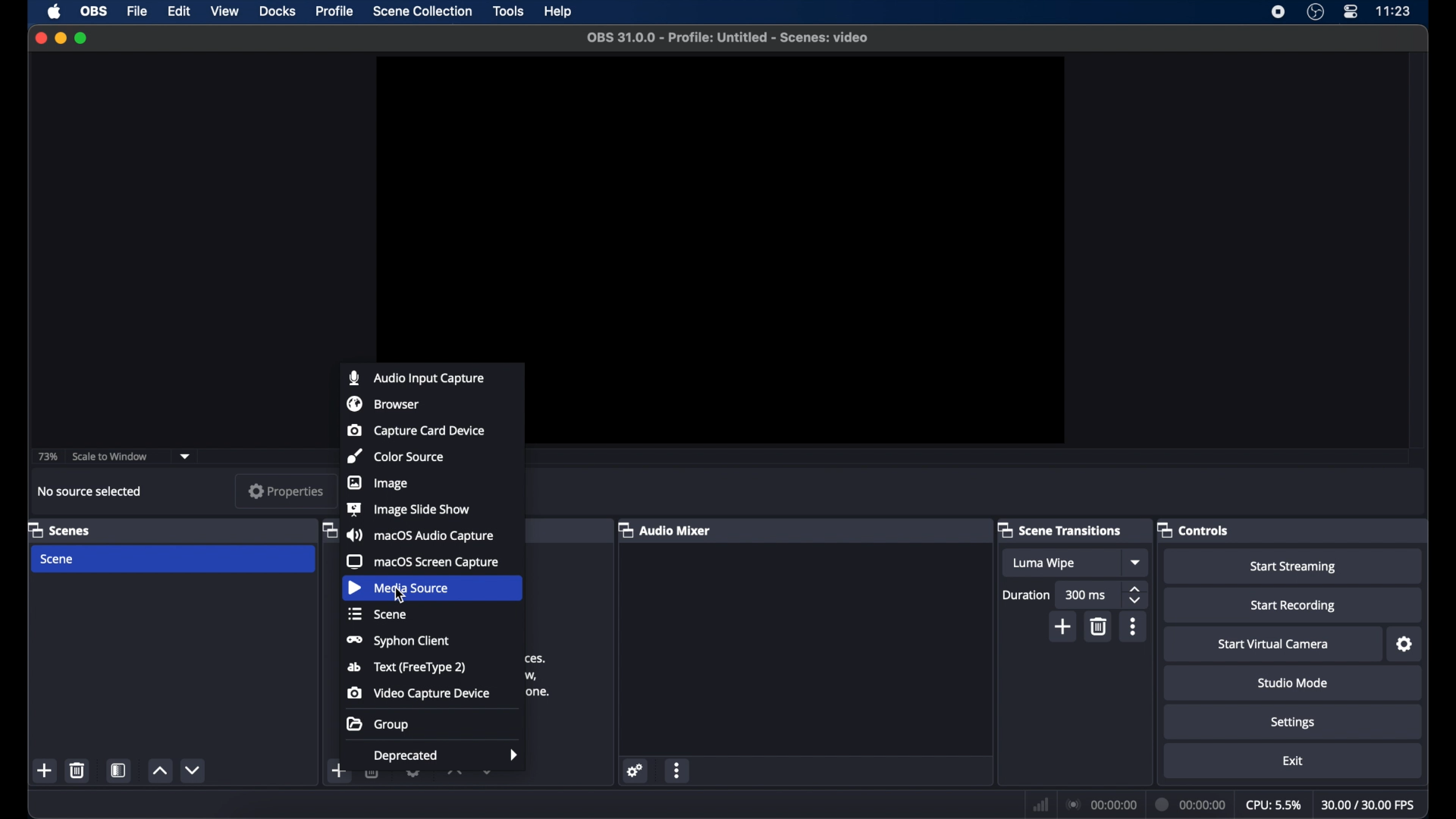 Image resolution: width=1456 pixels, height=819 pixels. I want to click on netwrok, so click(1040, 805).